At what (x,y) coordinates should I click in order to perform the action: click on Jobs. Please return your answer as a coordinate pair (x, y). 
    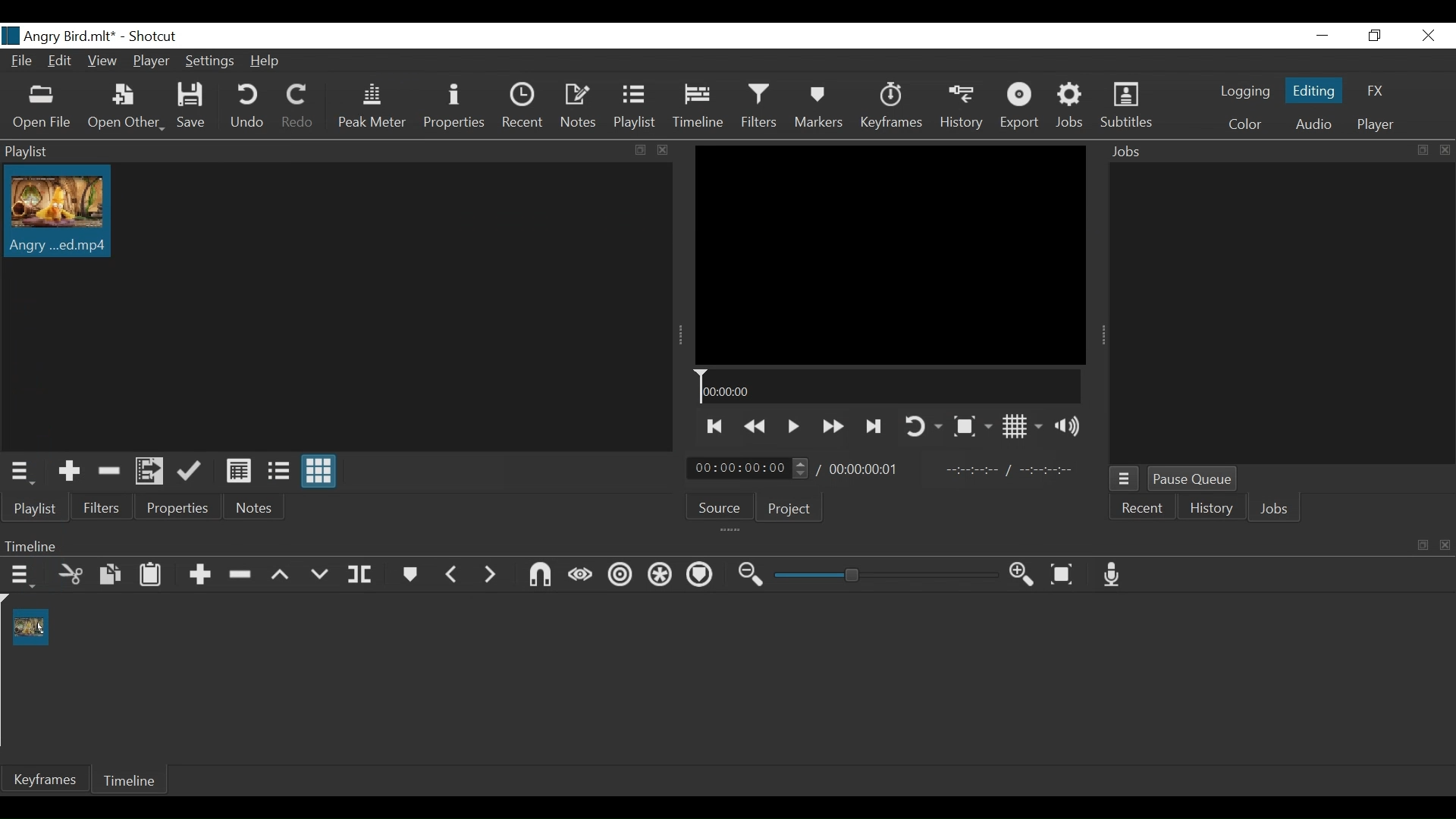
    Looking at the image, I should click on (1276, 510).